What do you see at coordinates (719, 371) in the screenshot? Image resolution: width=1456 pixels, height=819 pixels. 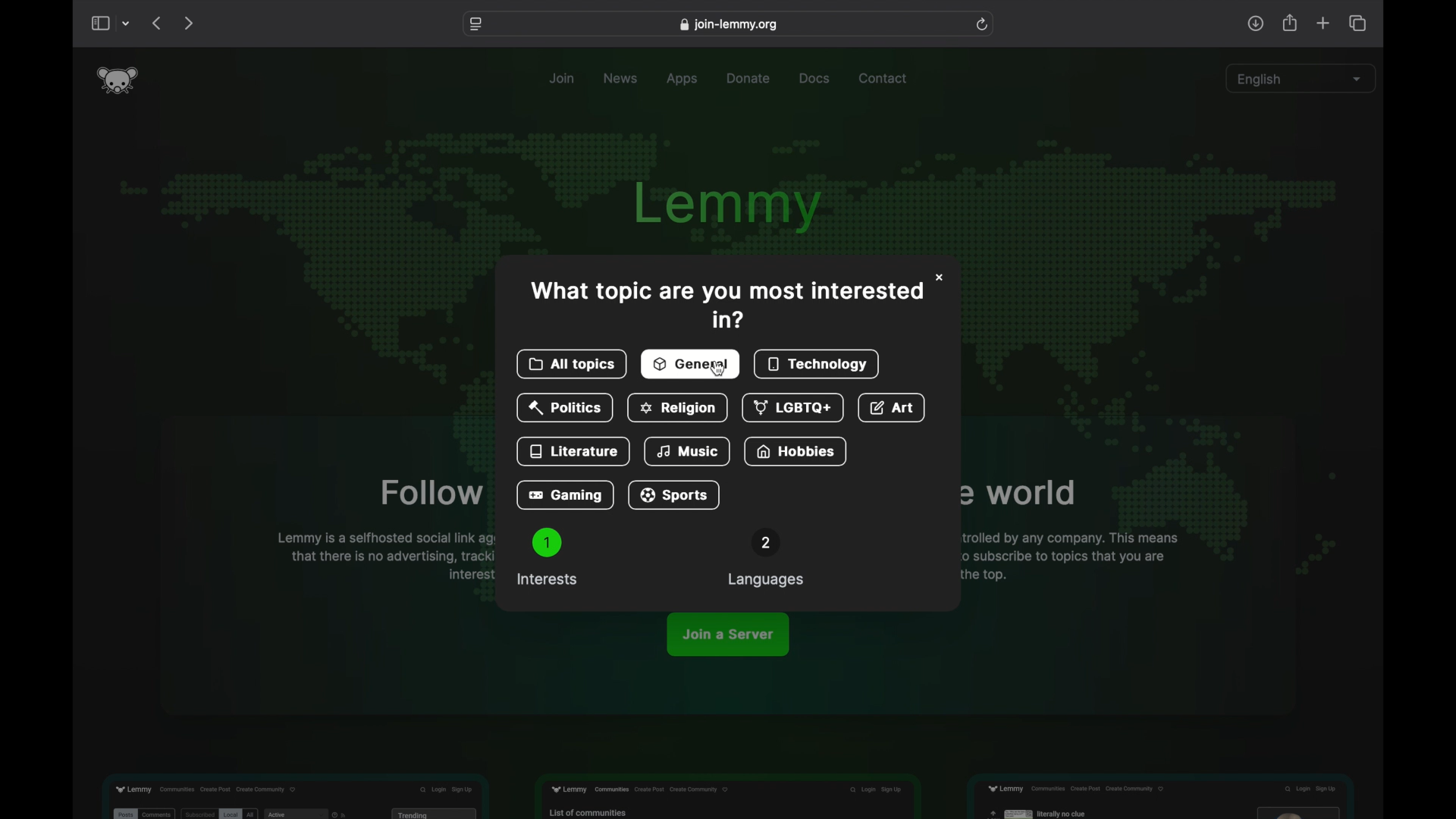 I see `cursor` at bounding box center [719, 371].